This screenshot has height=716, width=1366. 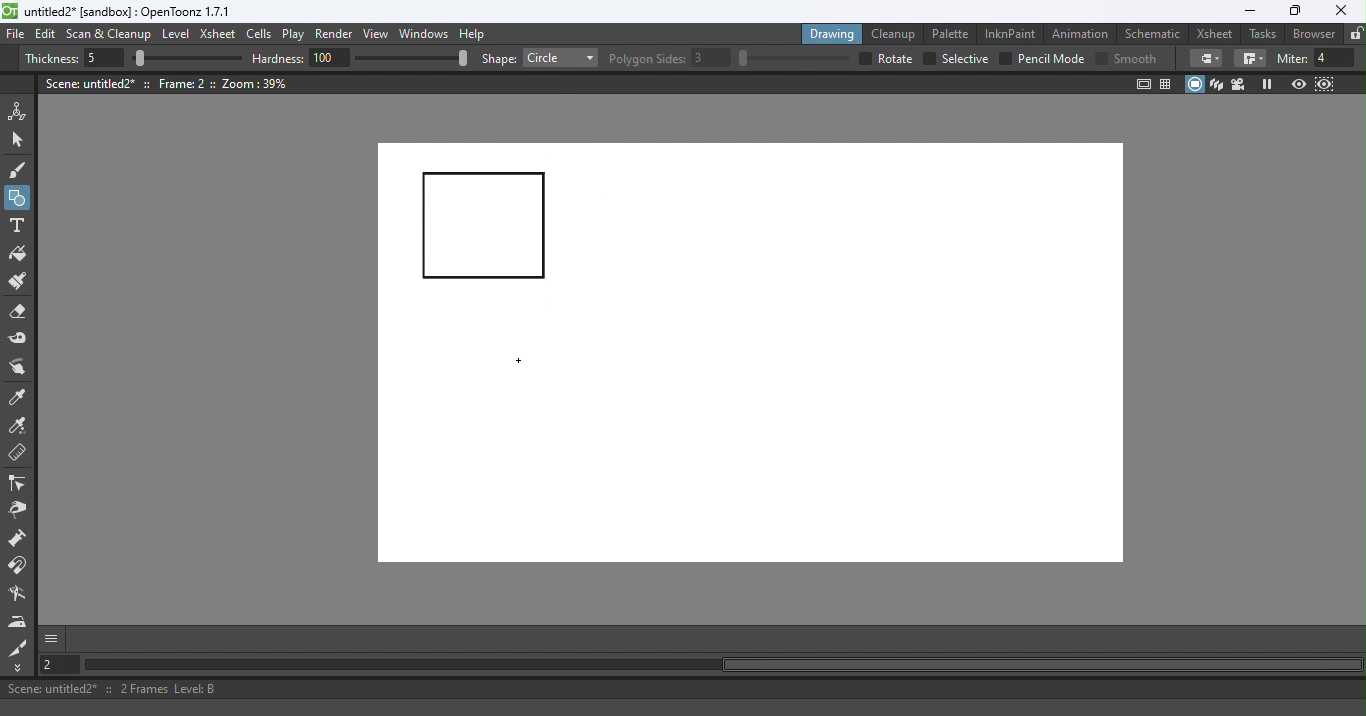 What do you see at coordinates (169, 83) in the screenshot?
I see `Canvas details` at bounding box center [169, 83].